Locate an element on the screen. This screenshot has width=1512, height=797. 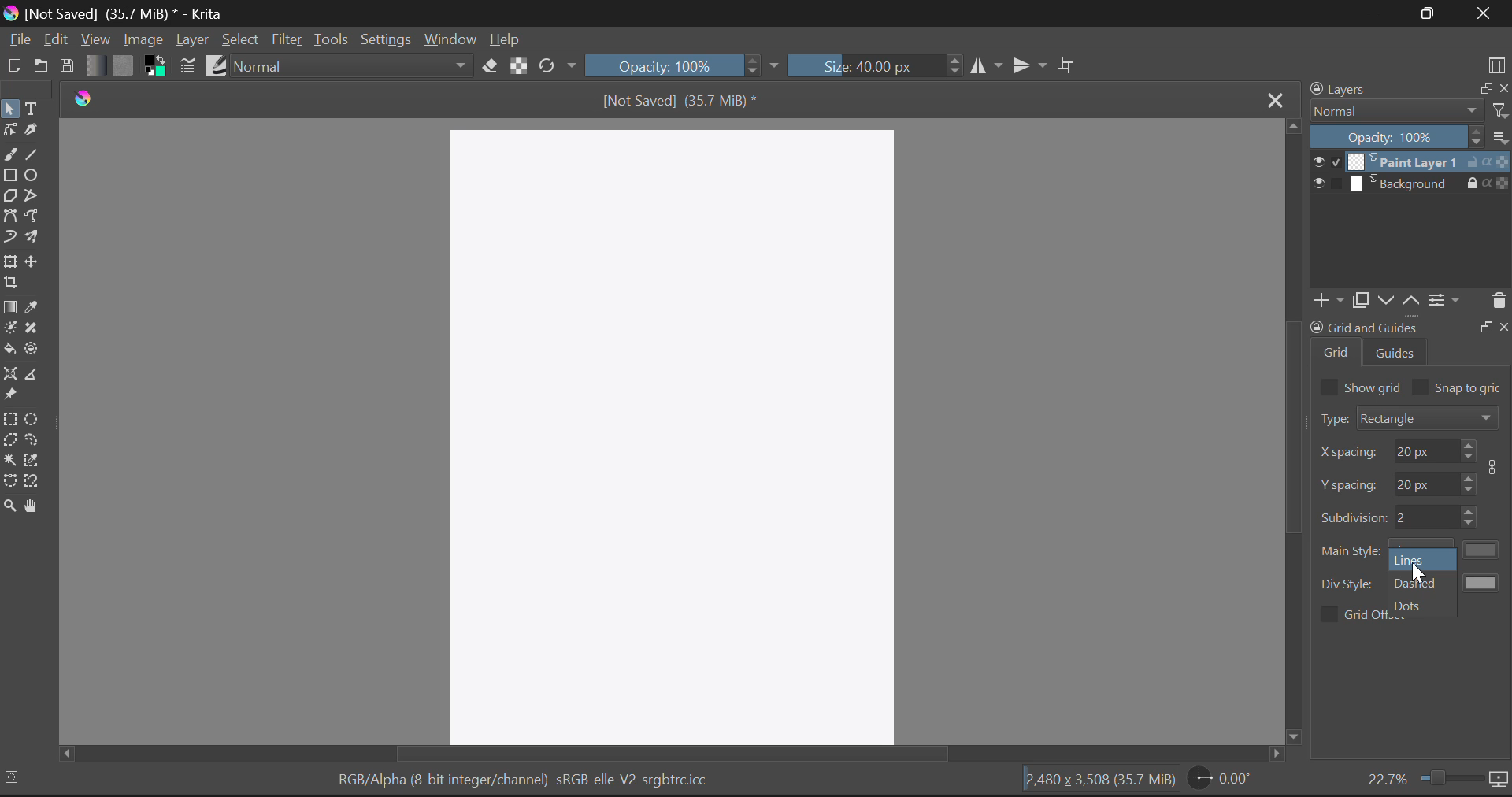
 is located at coordinates (1505, 325).